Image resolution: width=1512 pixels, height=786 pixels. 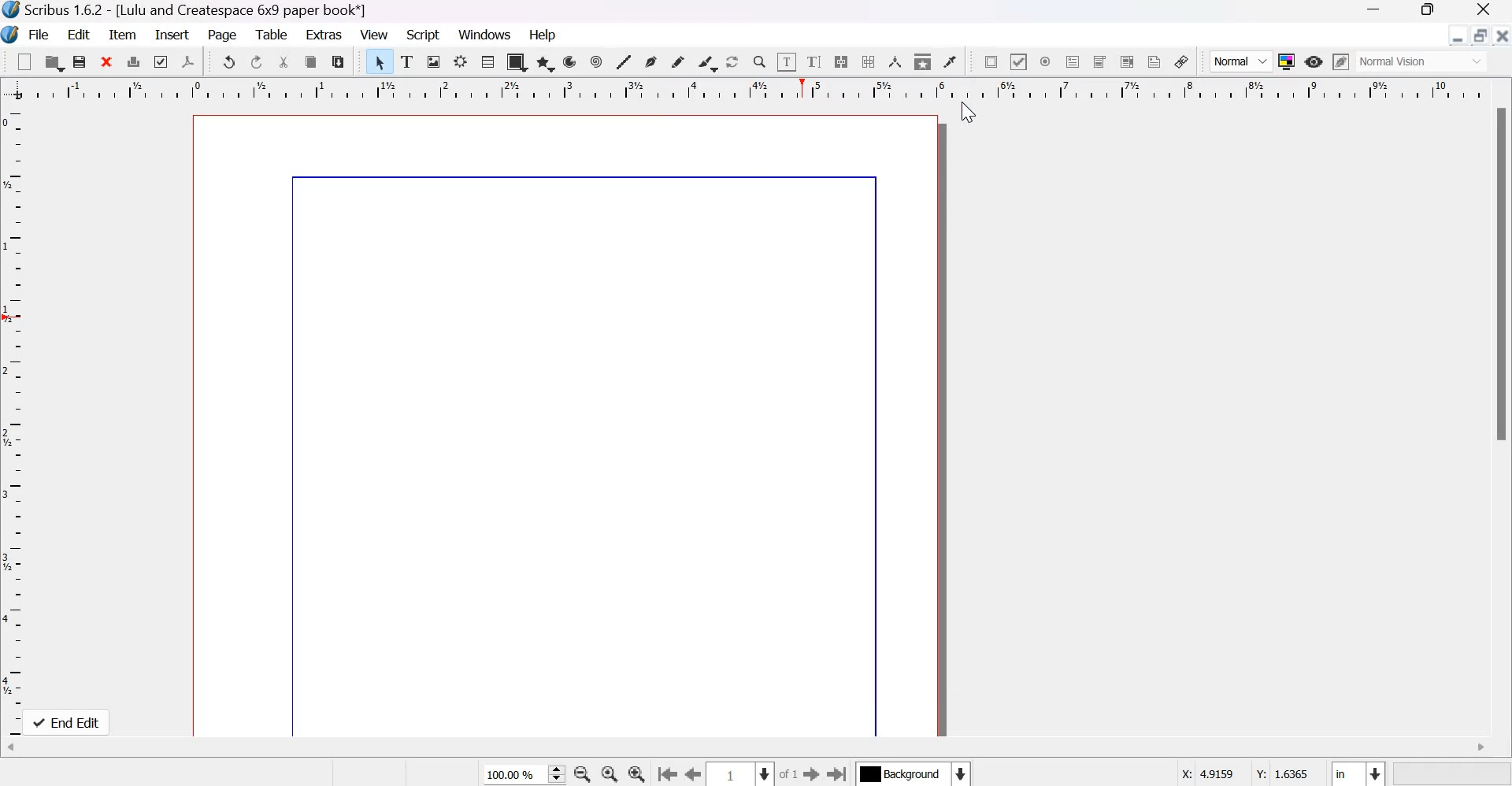 What do you see at coordinates (679, 64) in the screenshot?
I see `Freehand line` at bounding box center [679, 64].